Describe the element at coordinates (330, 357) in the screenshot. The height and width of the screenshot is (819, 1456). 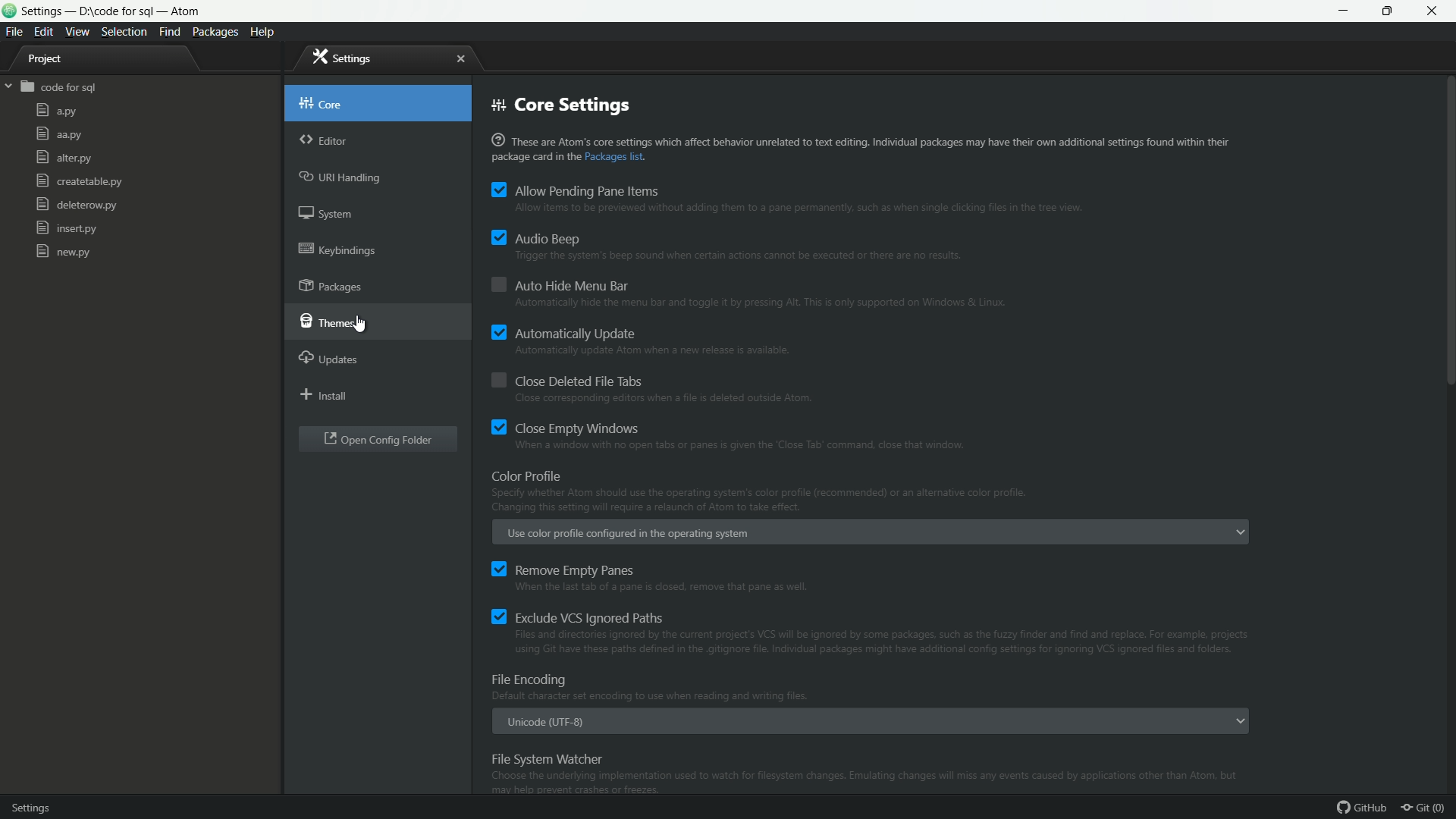
I see `updates` at that location.